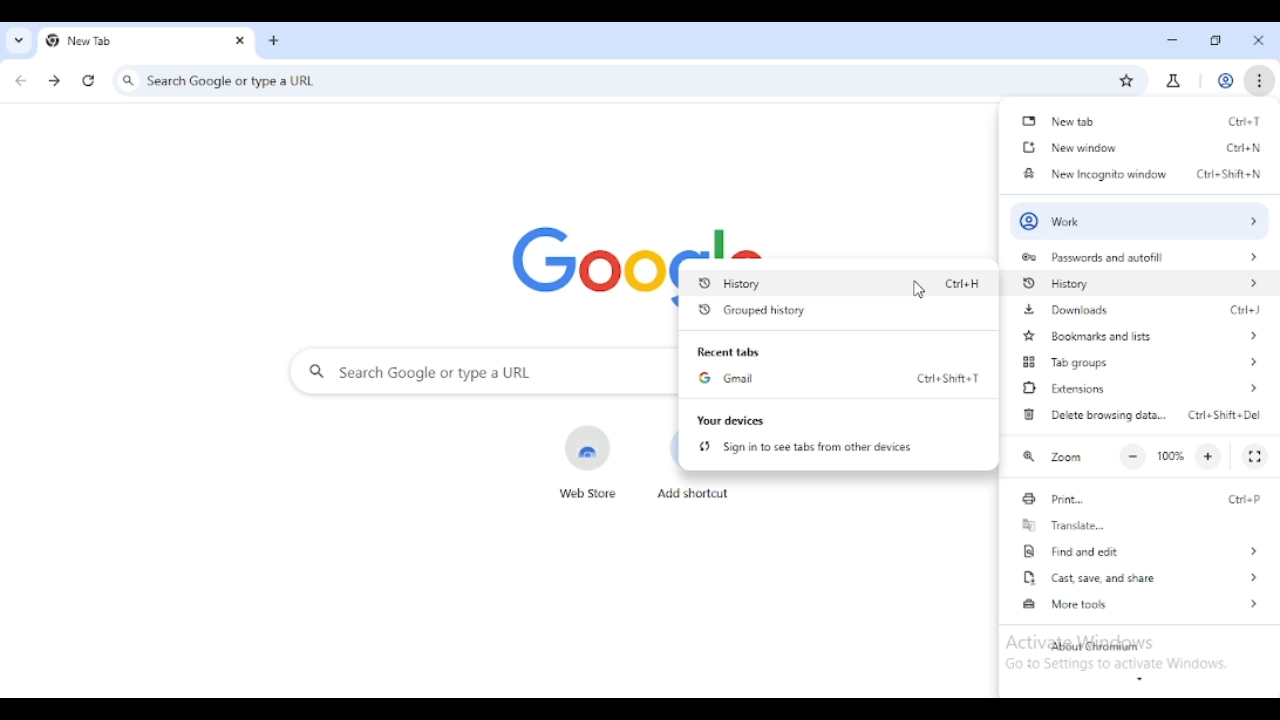 Image resolution: width=1280 pixels, height=720 pixels. I want to click on shortcut for delete browsing data, so click(1226, 415).